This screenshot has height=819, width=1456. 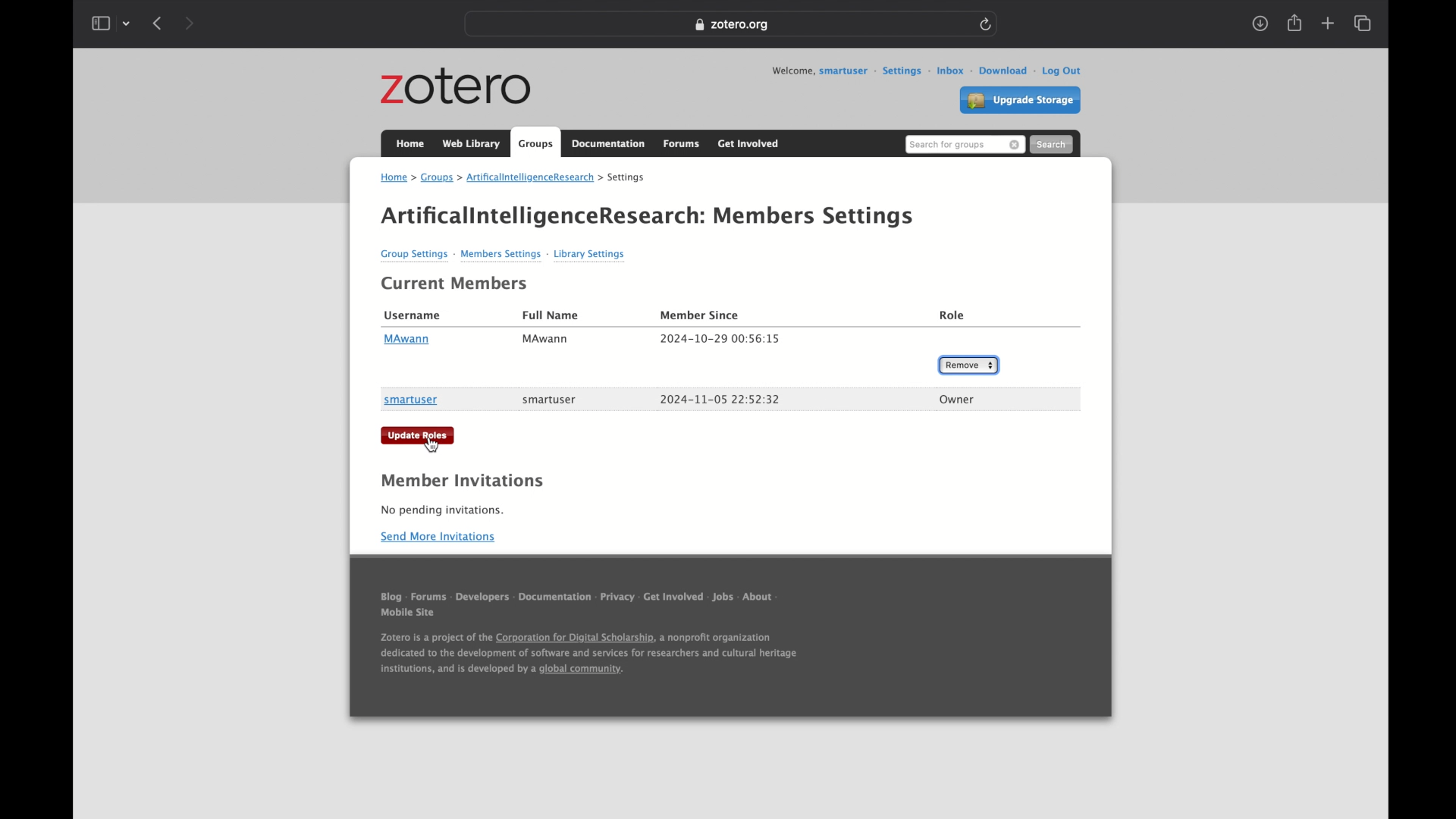 I want to click on members settings, so click(x=501, y=256).